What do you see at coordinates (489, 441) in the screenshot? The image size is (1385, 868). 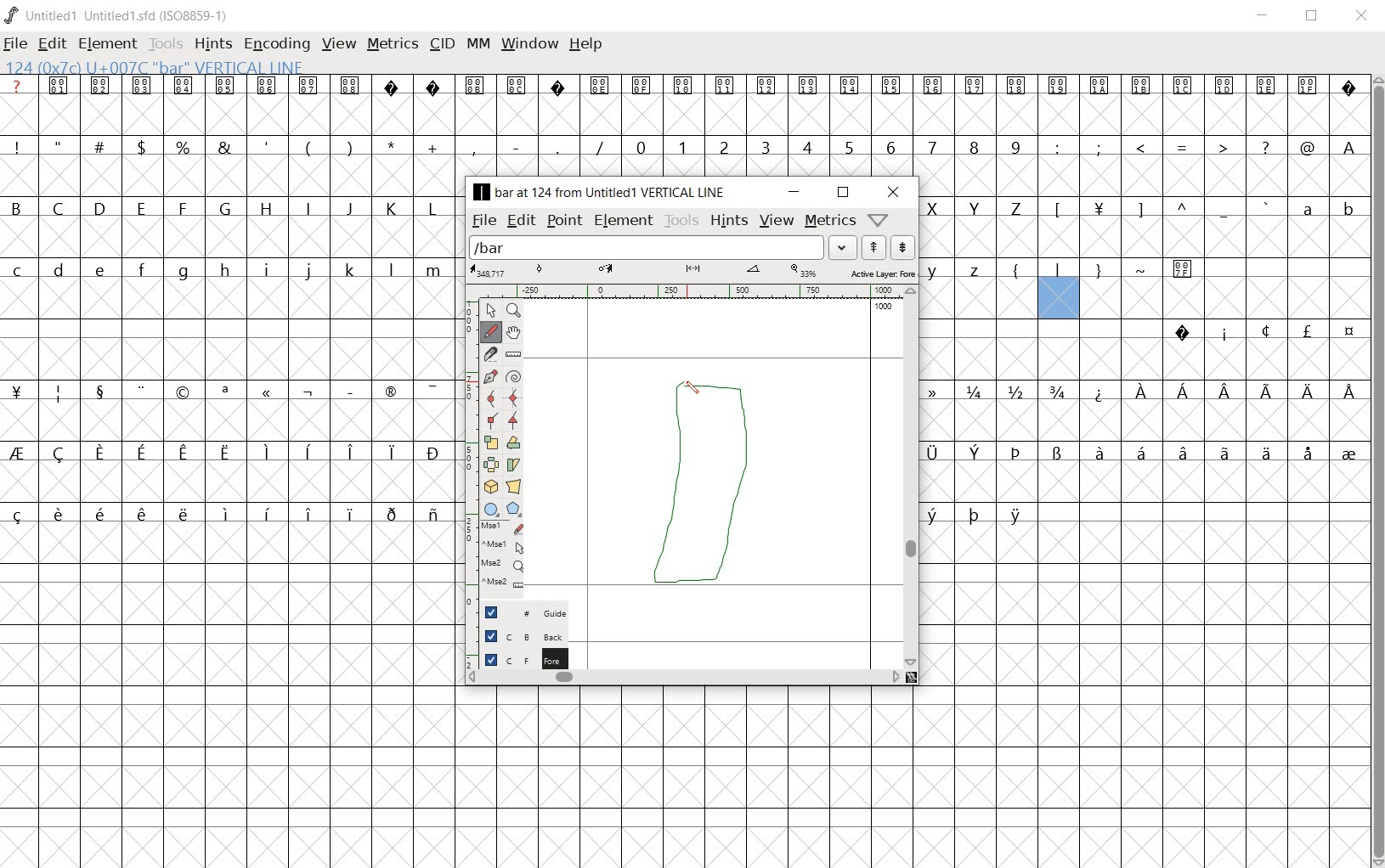 I see `scale the selection` at bounding box center [489, 441].